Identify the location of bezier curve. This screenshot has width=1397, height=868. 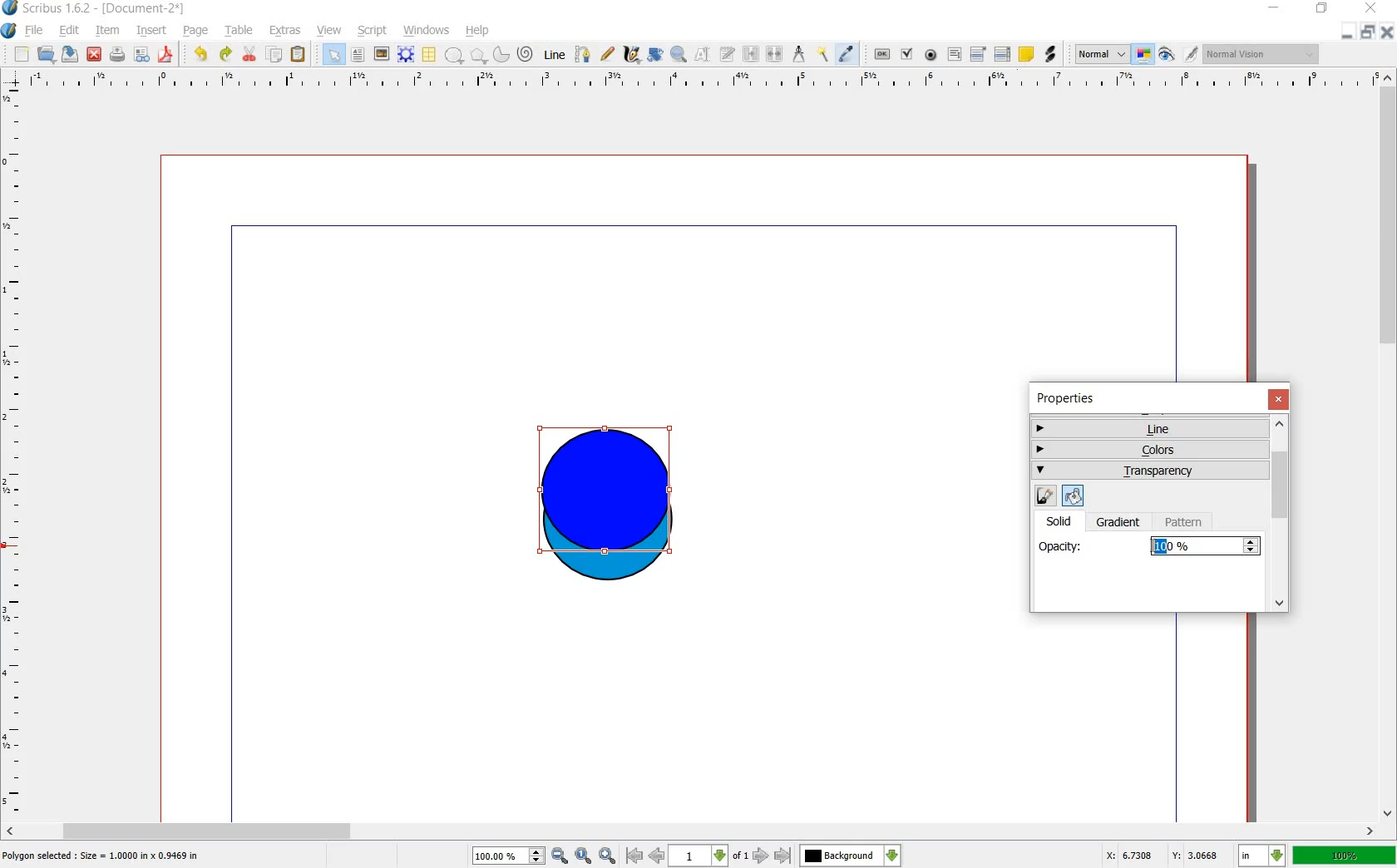
(583, 55).